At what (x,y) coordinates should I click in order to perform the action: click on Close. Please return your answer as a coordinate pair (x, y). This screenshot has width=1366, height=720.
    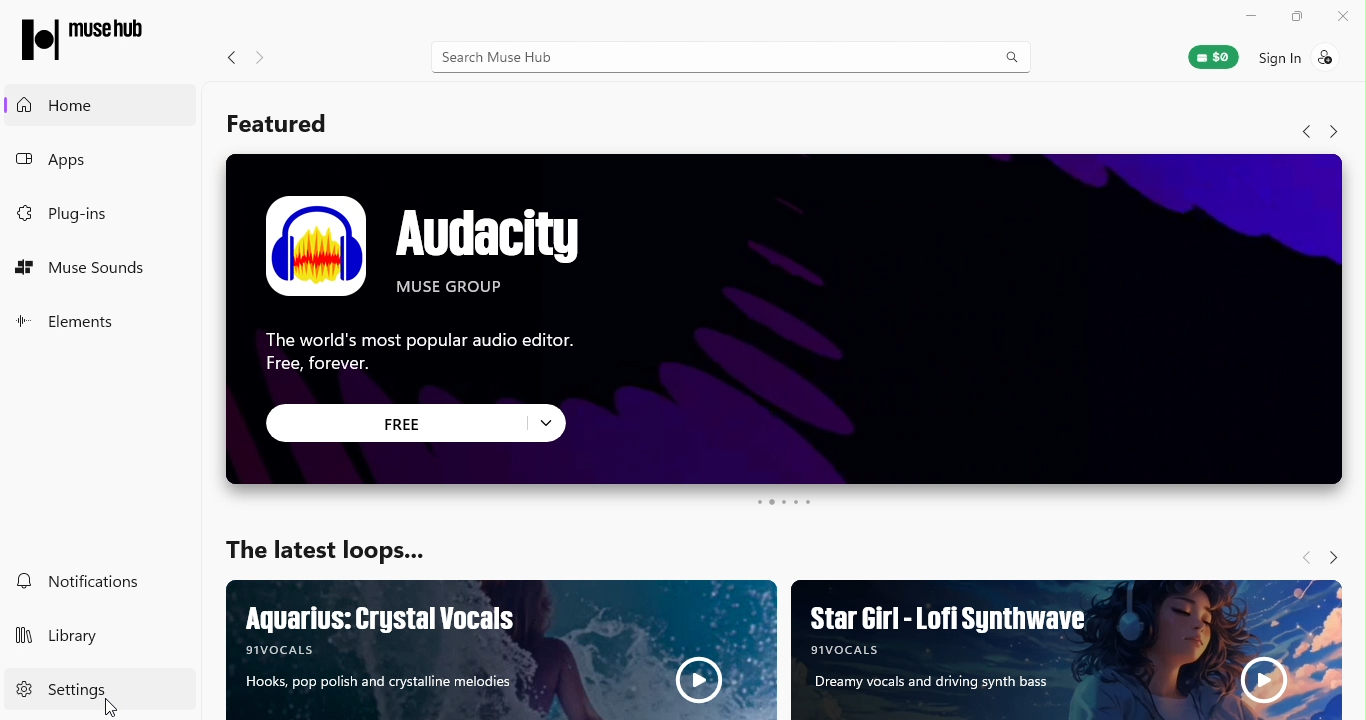
    Looking at the image, I should click on (1343, 19).